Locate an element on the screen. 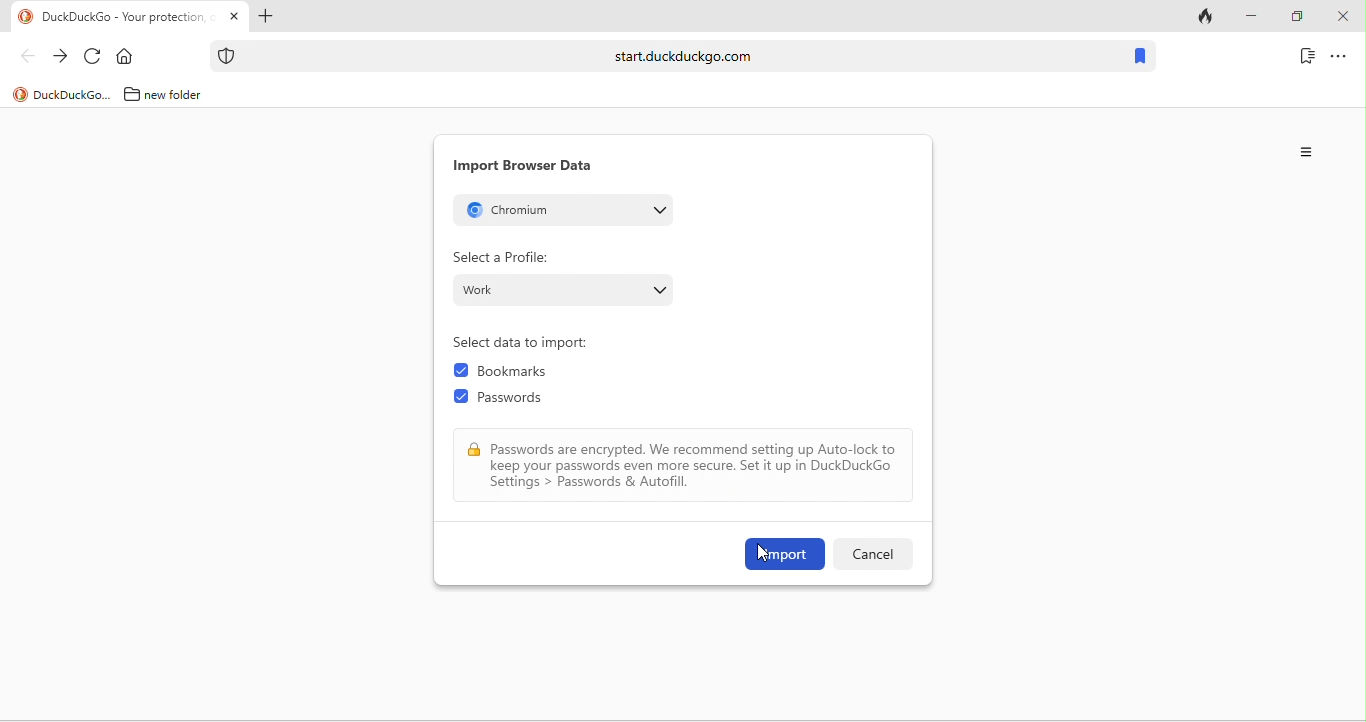 The width and height of the screenshot is (1366, 722). import browser data is located at coordinates (523, 166).